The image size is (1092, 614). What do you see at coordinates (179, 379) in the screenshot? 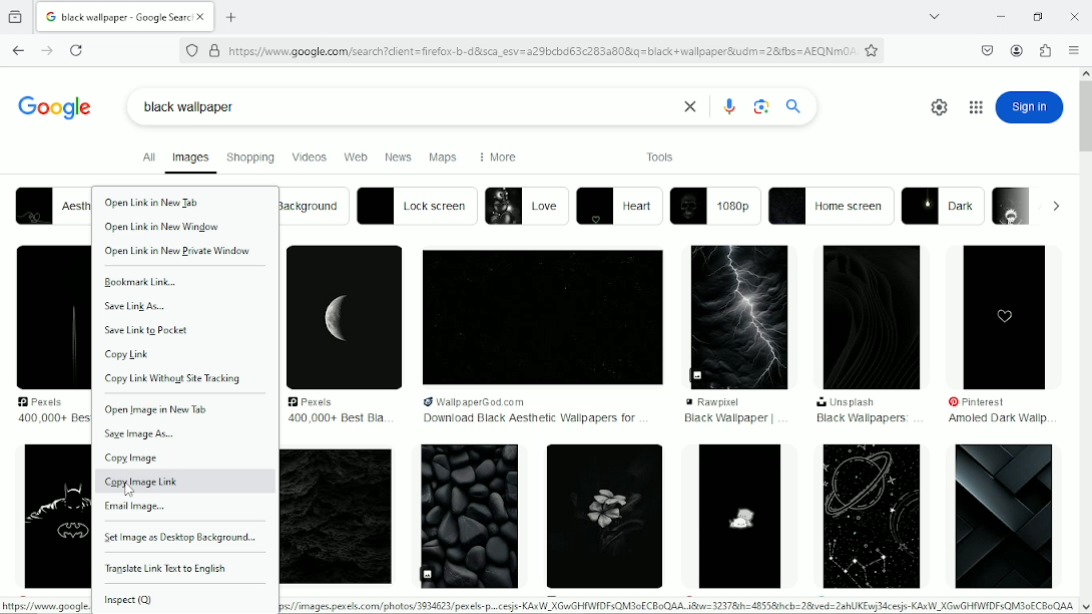
I see `copy link without site tracking` at bounding box center [179, 379].